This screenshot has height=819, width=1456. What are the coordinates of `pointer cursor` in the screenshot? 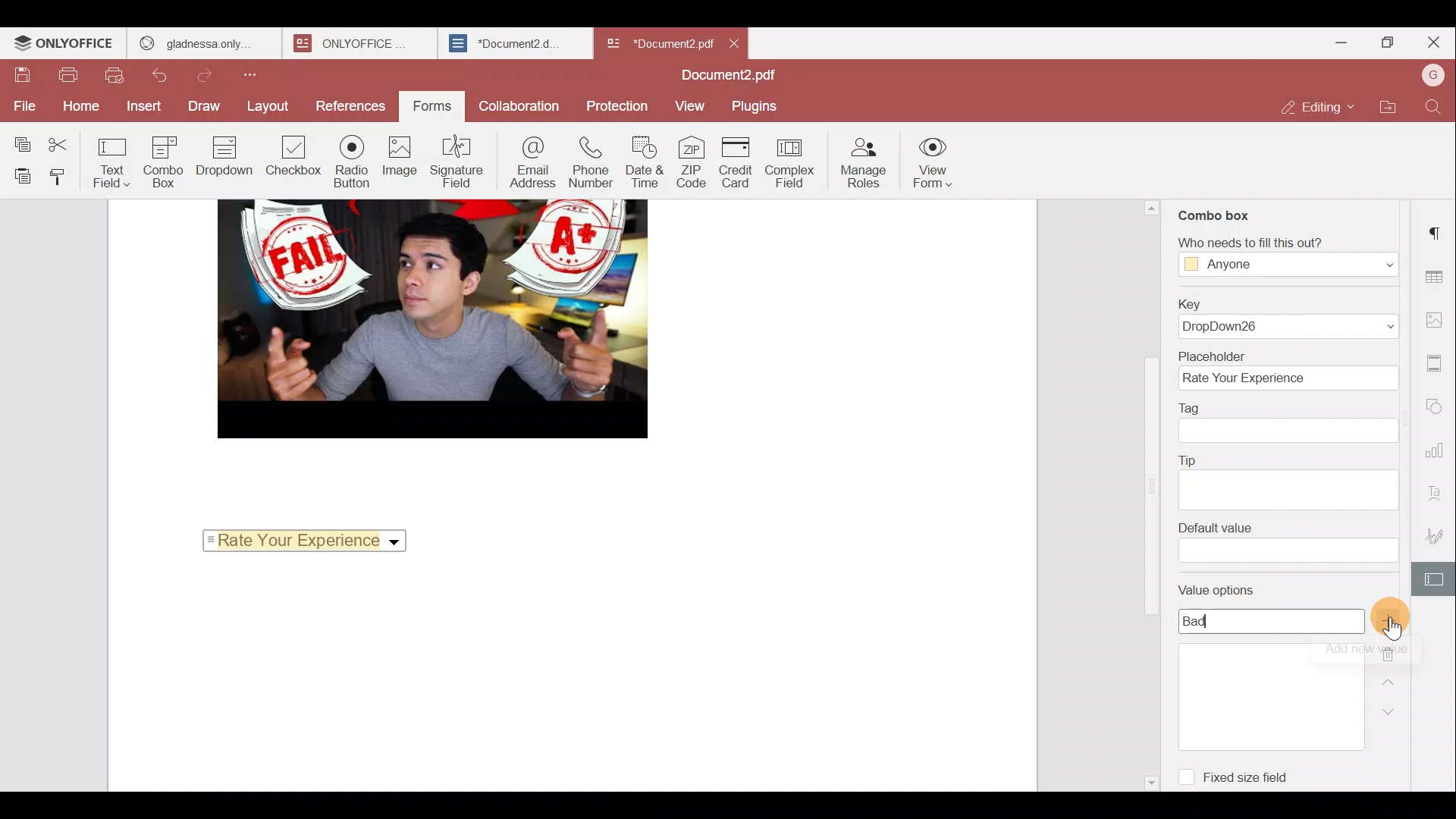 It's located at (1392, 626).